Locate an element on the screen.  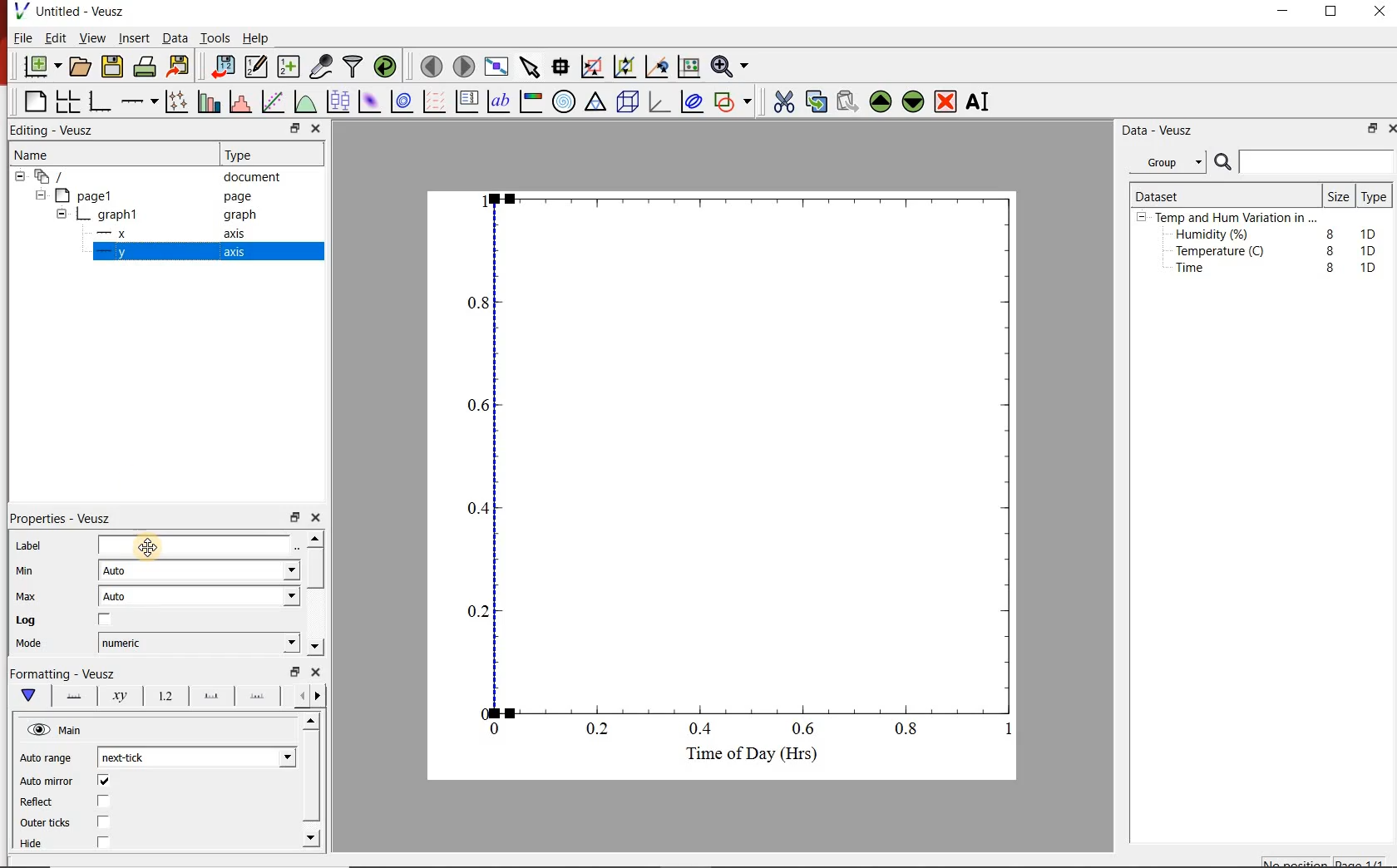
visible (click to hide, set Hide to true) is located at coordinates (37, 731).